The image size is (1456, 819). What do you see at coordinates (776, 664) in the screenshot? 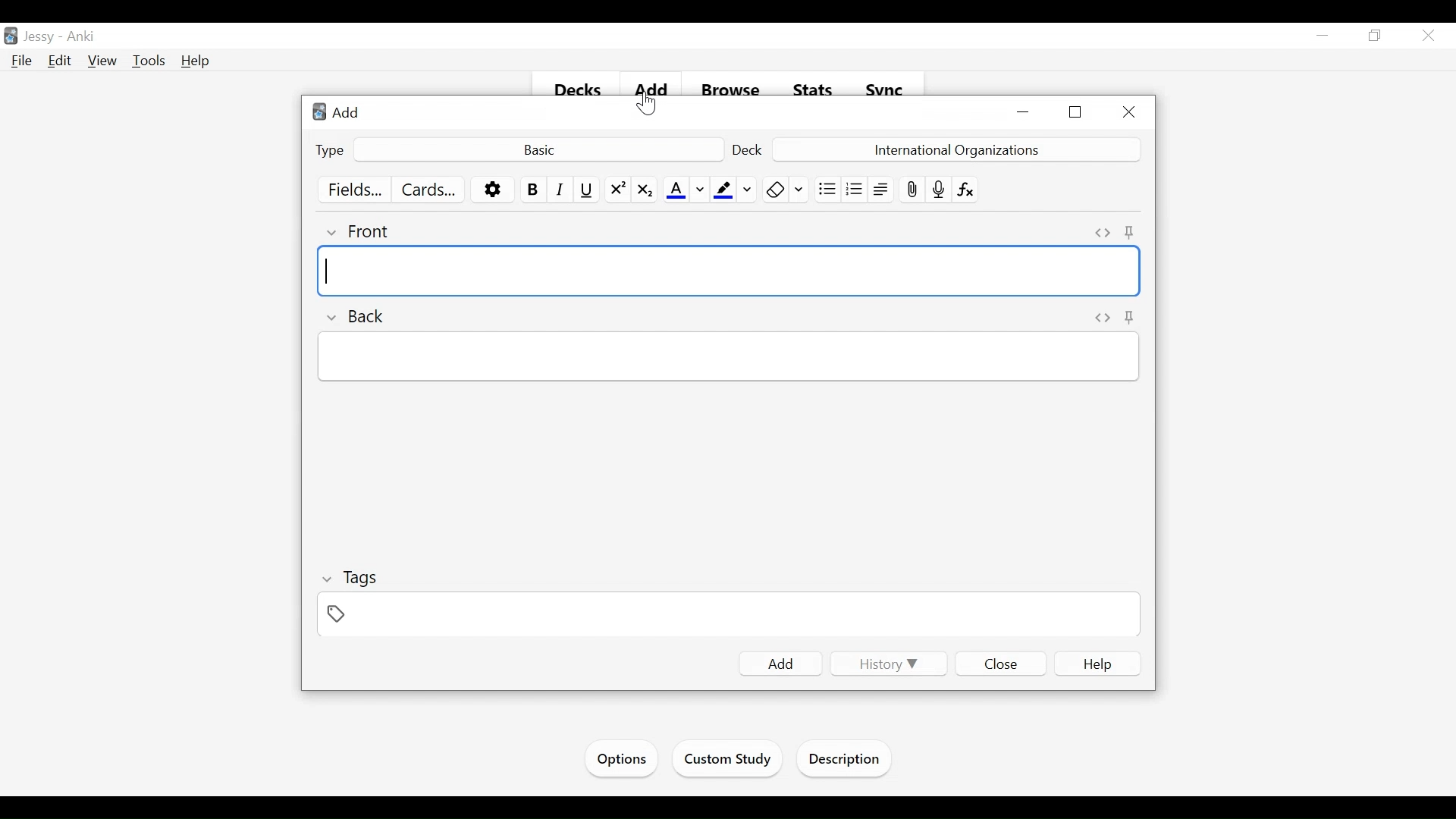
I see `Add` at bounding box center [776, 664].